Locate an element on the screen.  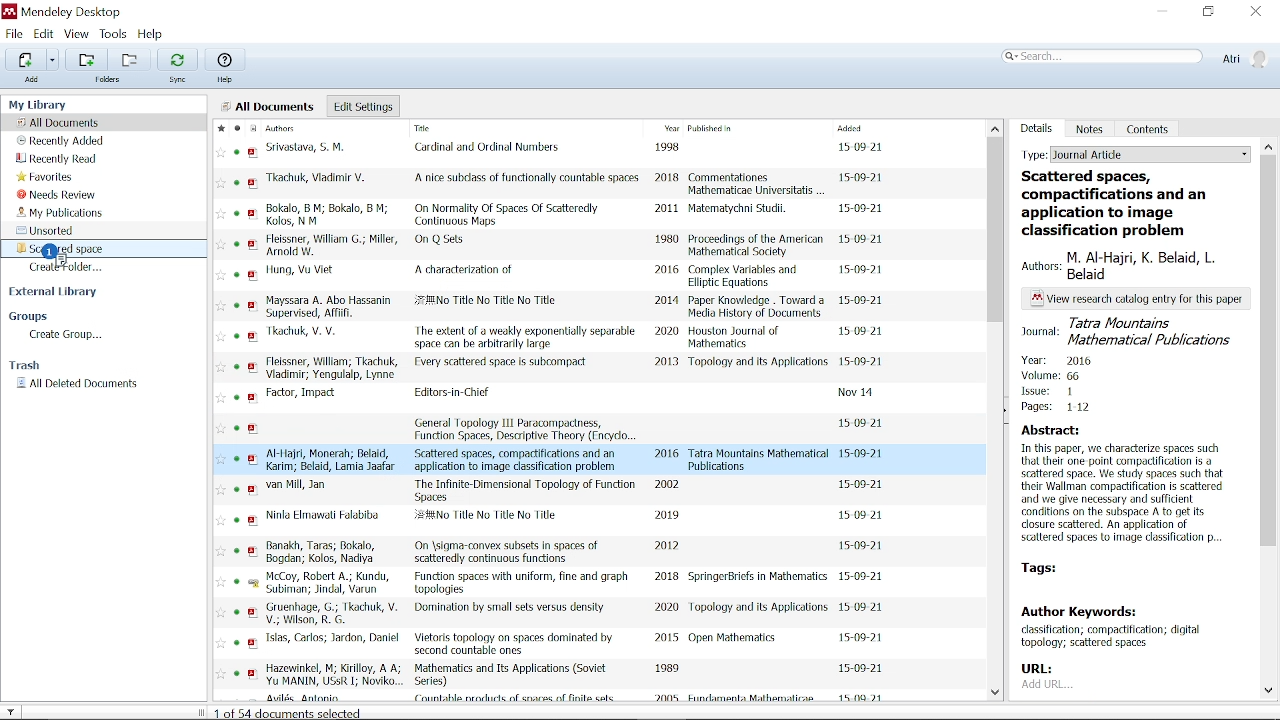
change sidebar width is located at coordinates (200, 712).